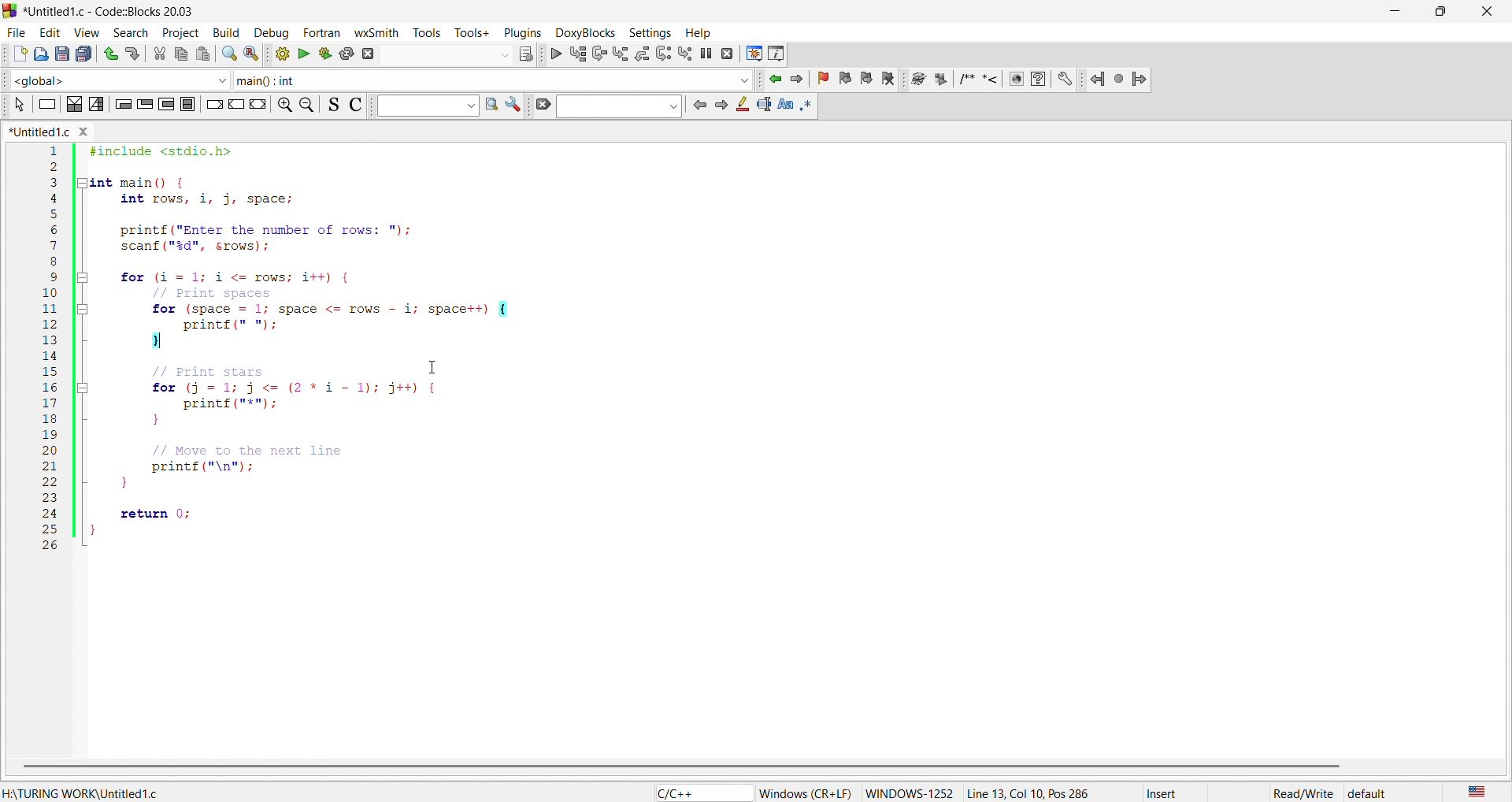 The height and width of the screenshot is (802, 1512). Describe the element at coordinates (619, 106) in the screenshot. I see `input` at that location.